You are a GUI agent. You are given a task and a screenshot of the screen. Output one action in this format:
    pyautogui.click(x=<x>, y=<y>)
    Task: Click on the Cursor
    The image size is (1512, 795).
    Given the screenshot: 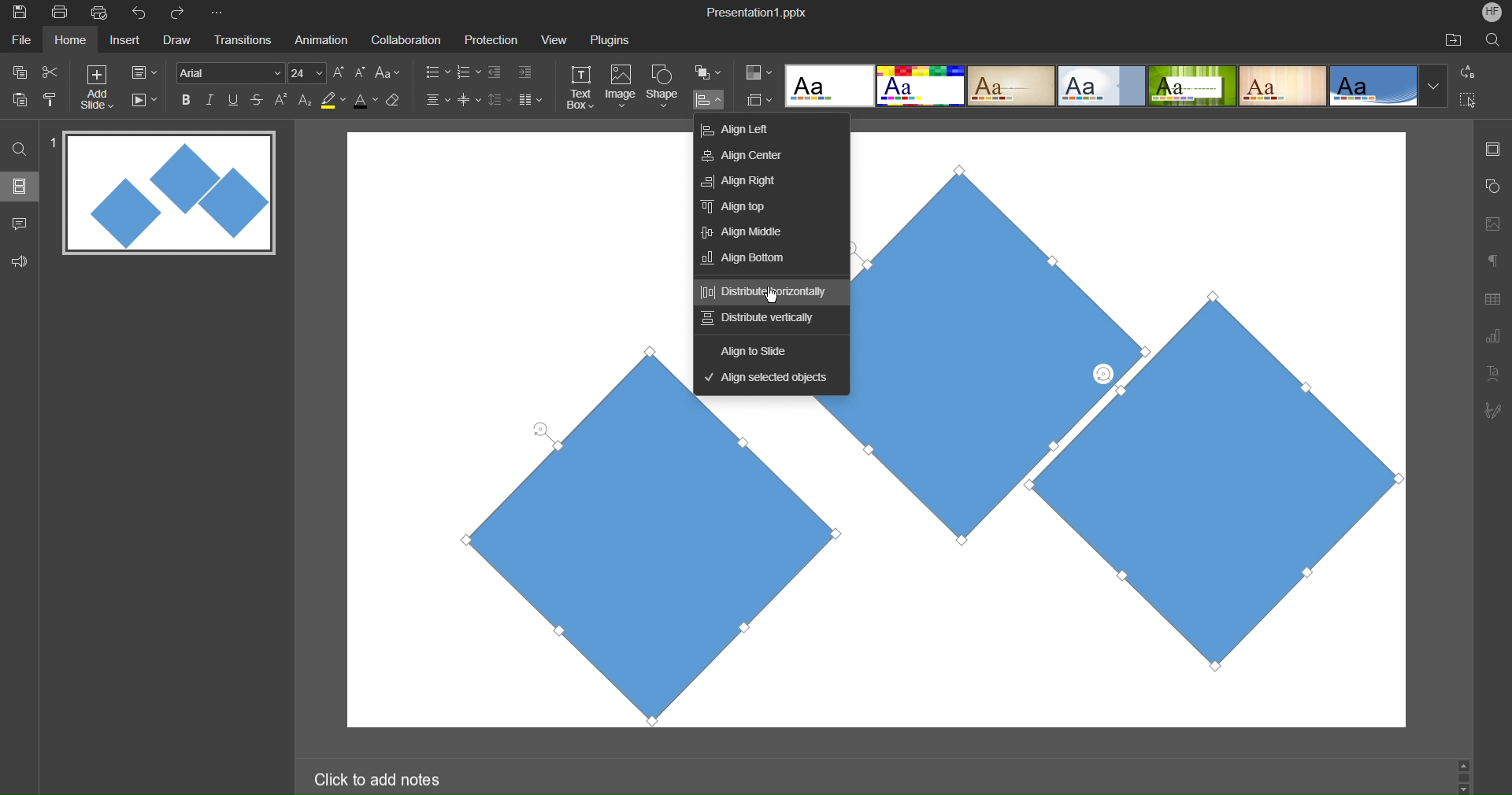 What is the action you would take?
    pyautogui.click(x=771, y=295)
    